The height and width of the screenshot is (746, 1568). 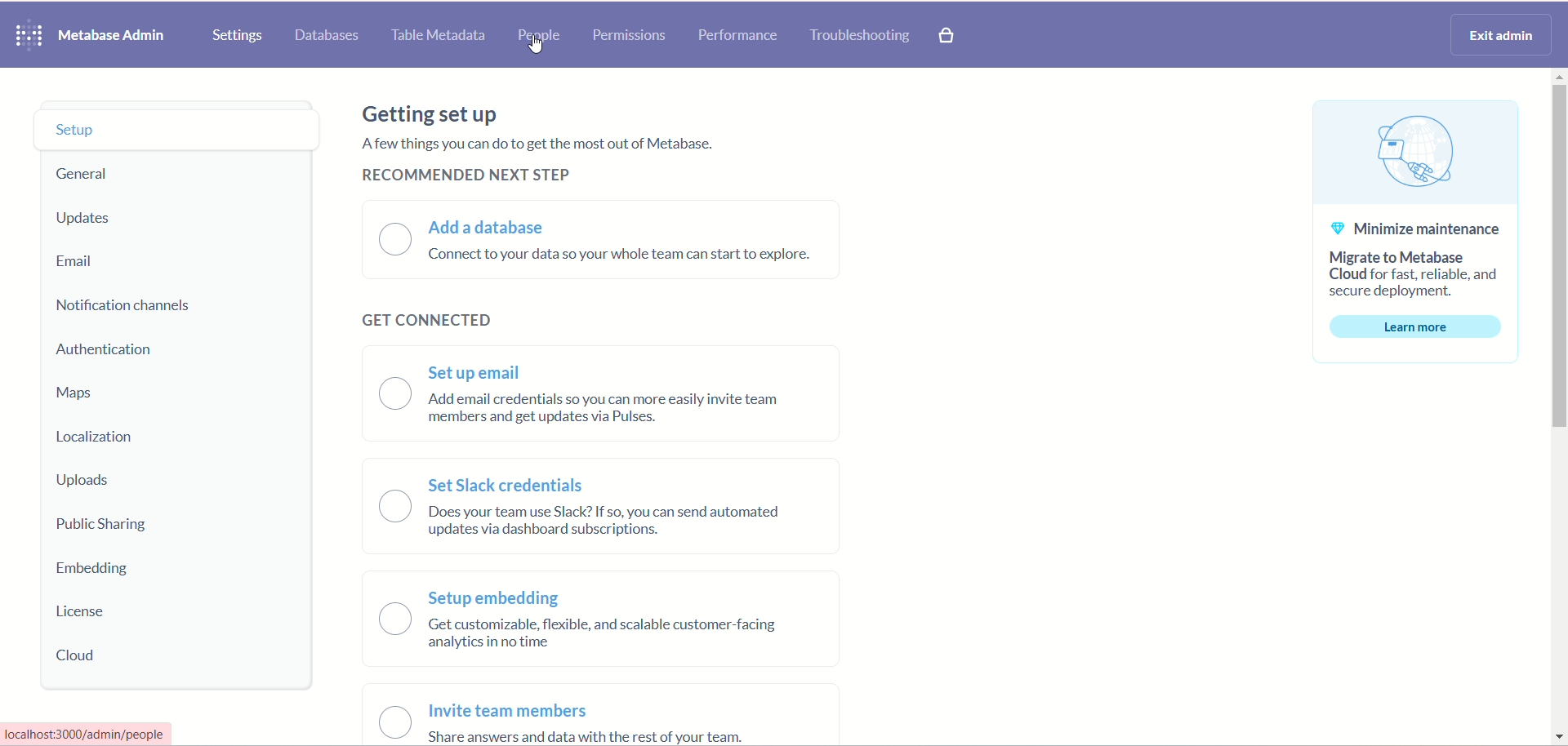 What do you see at coordinates (91, 220) in the screenshot?
I see `updates` at bounding box center [91, 220].